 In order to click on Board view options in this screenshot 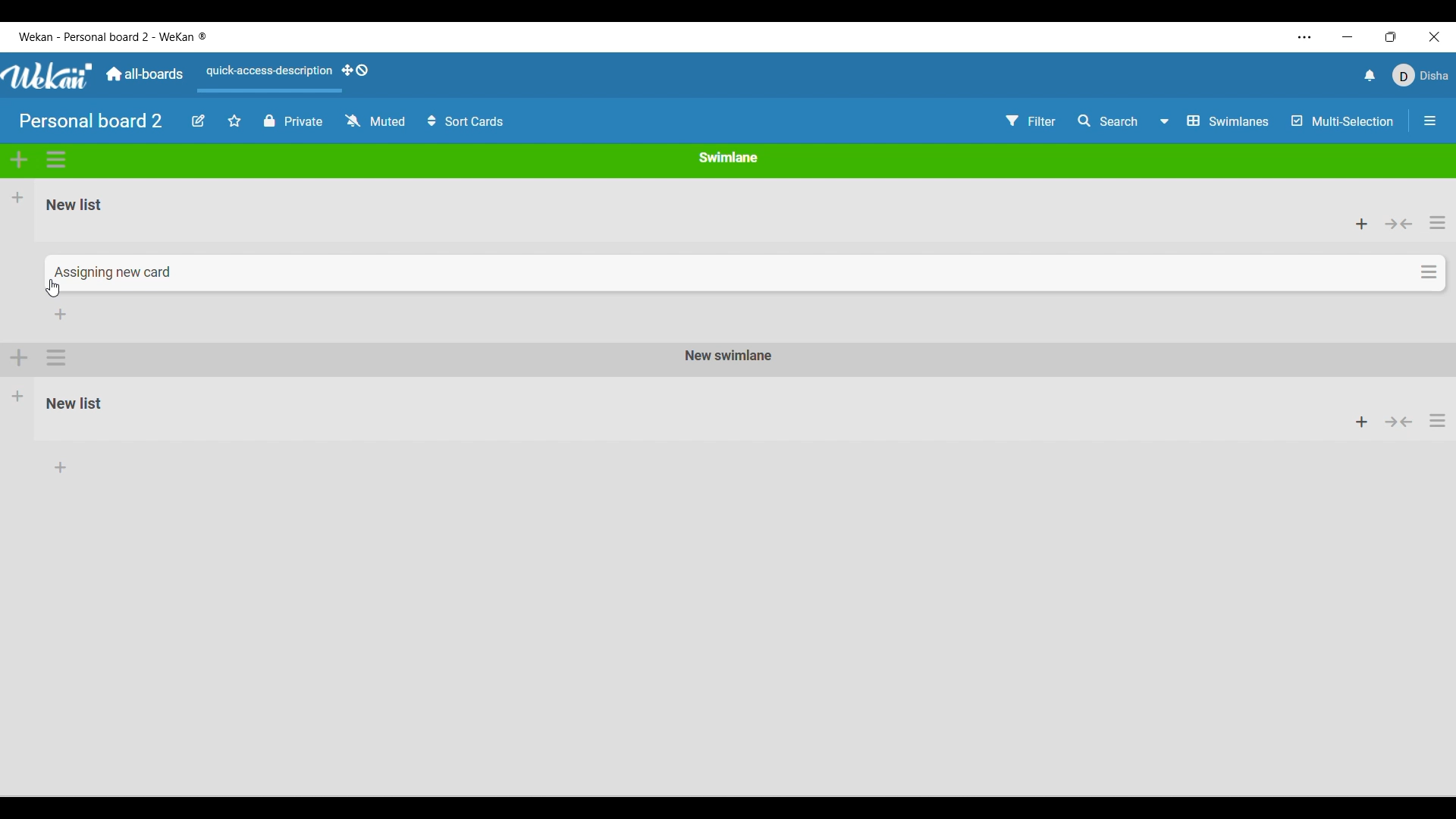, I will do `click(1214, 121)`.